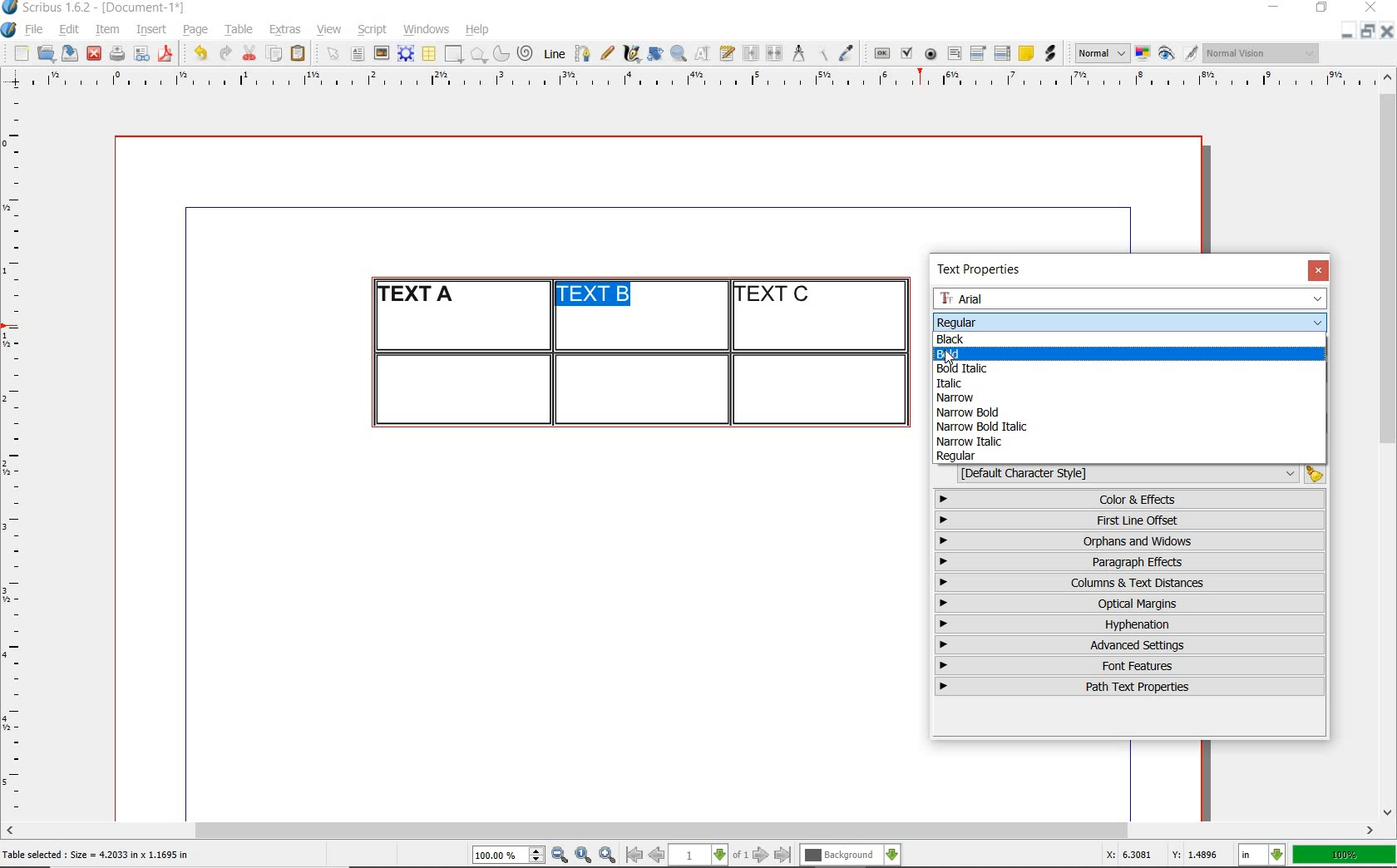  I want to click on bold italic, so click(970, 368).